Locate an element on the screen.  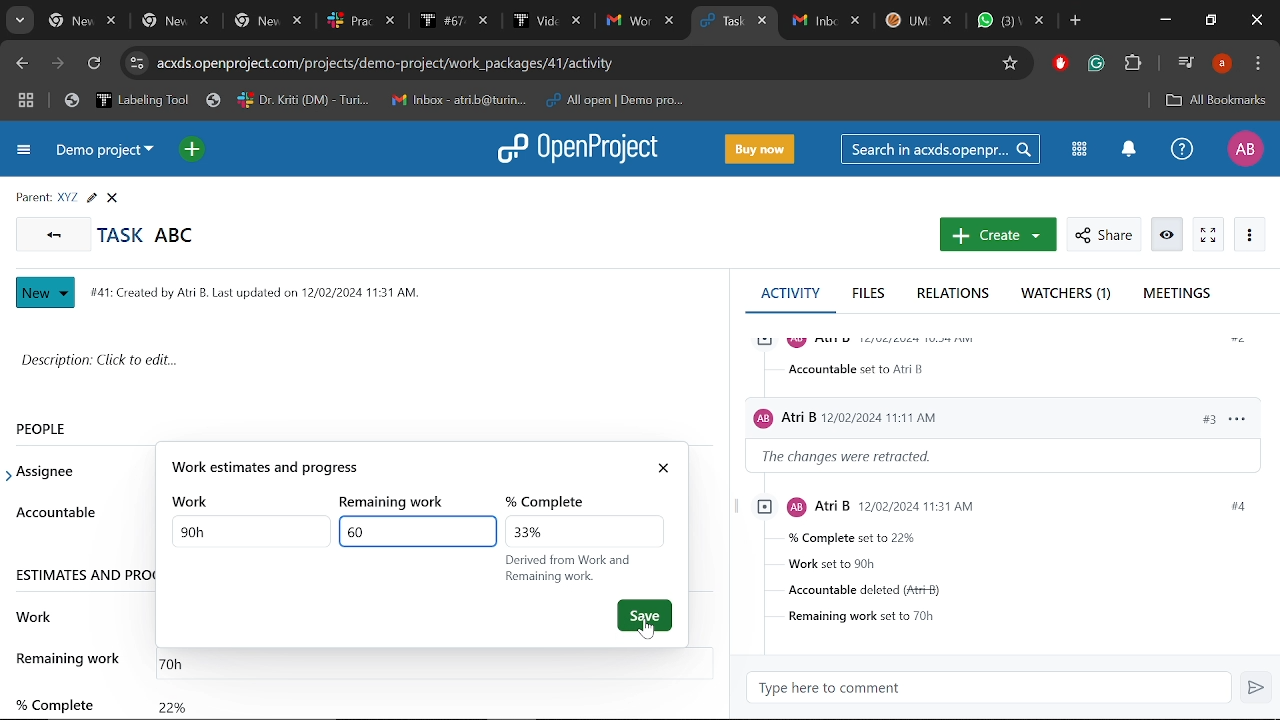
Search tabs is located at coordinates (22, 22).